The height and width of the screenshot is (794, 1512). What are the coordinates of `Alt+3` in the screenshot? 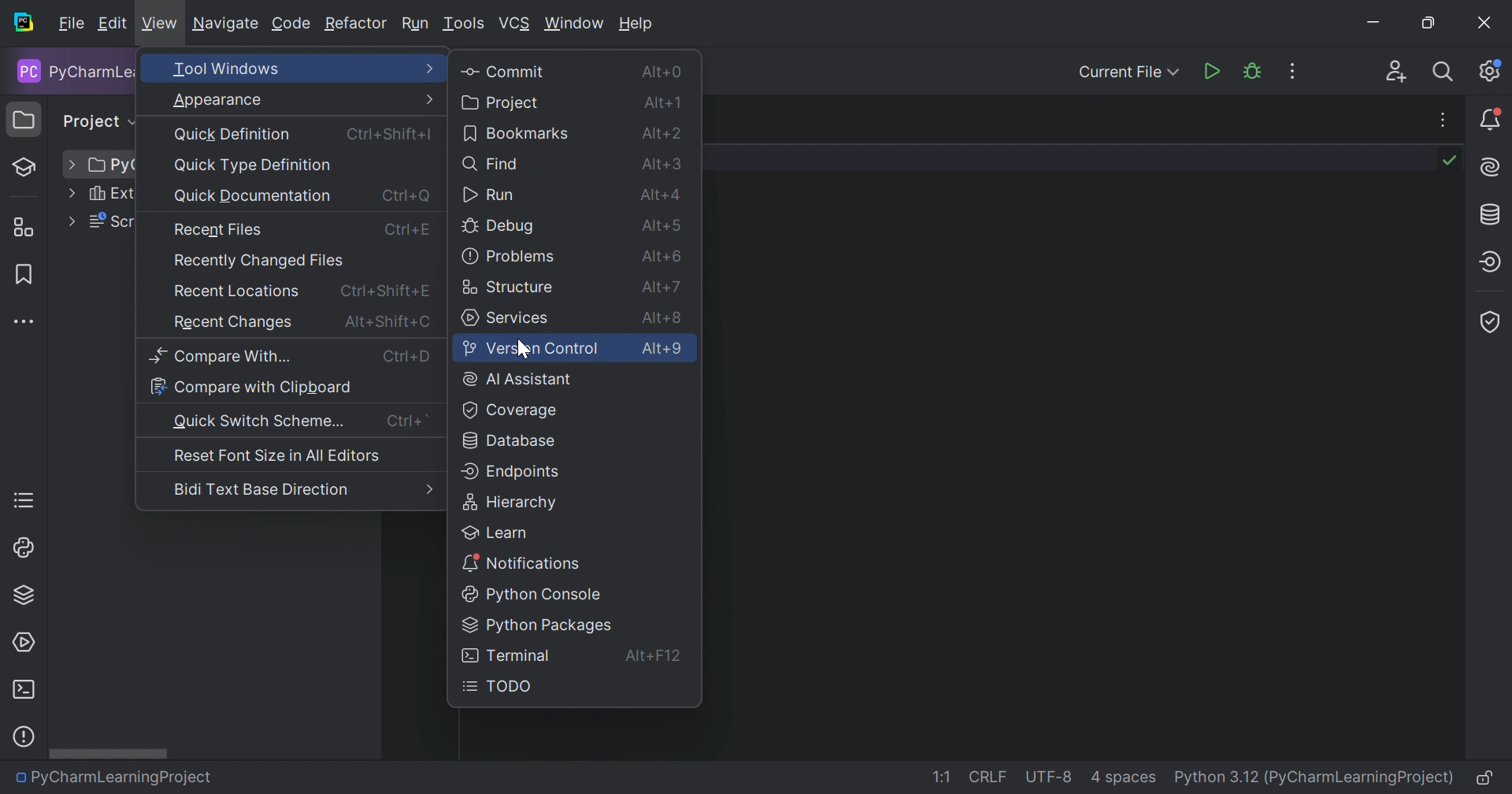 It's located at (663, 163).